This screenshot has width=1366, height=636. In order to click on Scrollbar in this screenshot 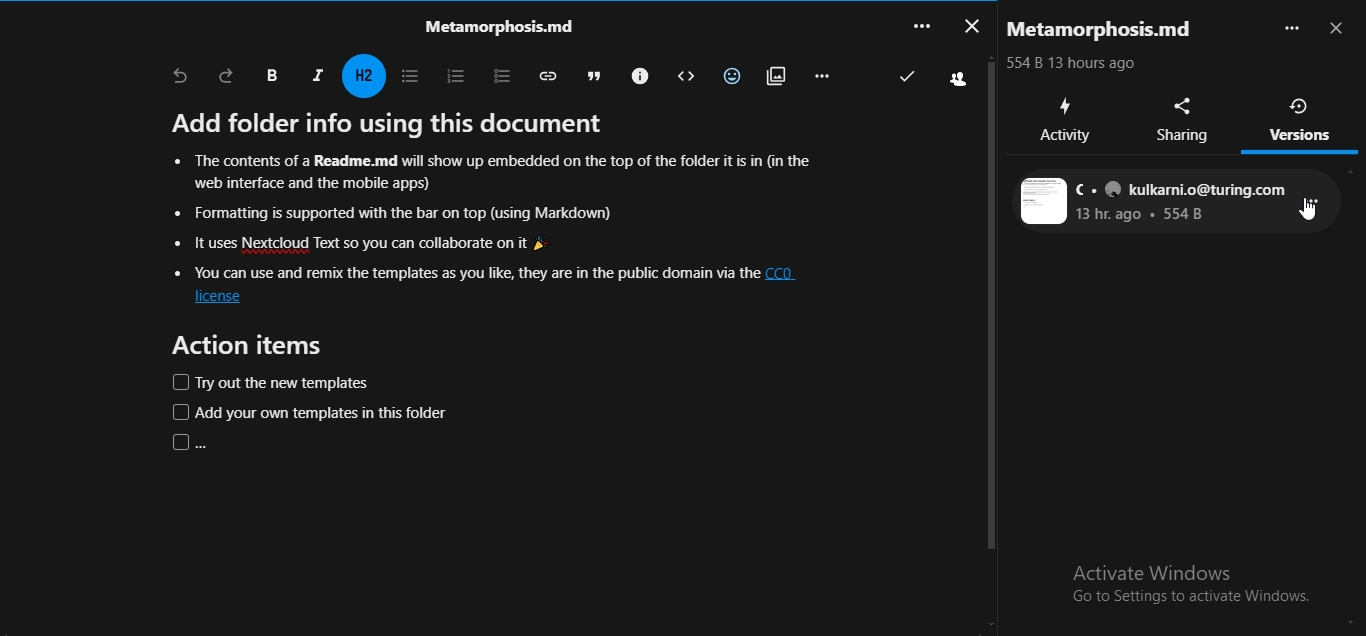, I will do `click(991, 306)`.